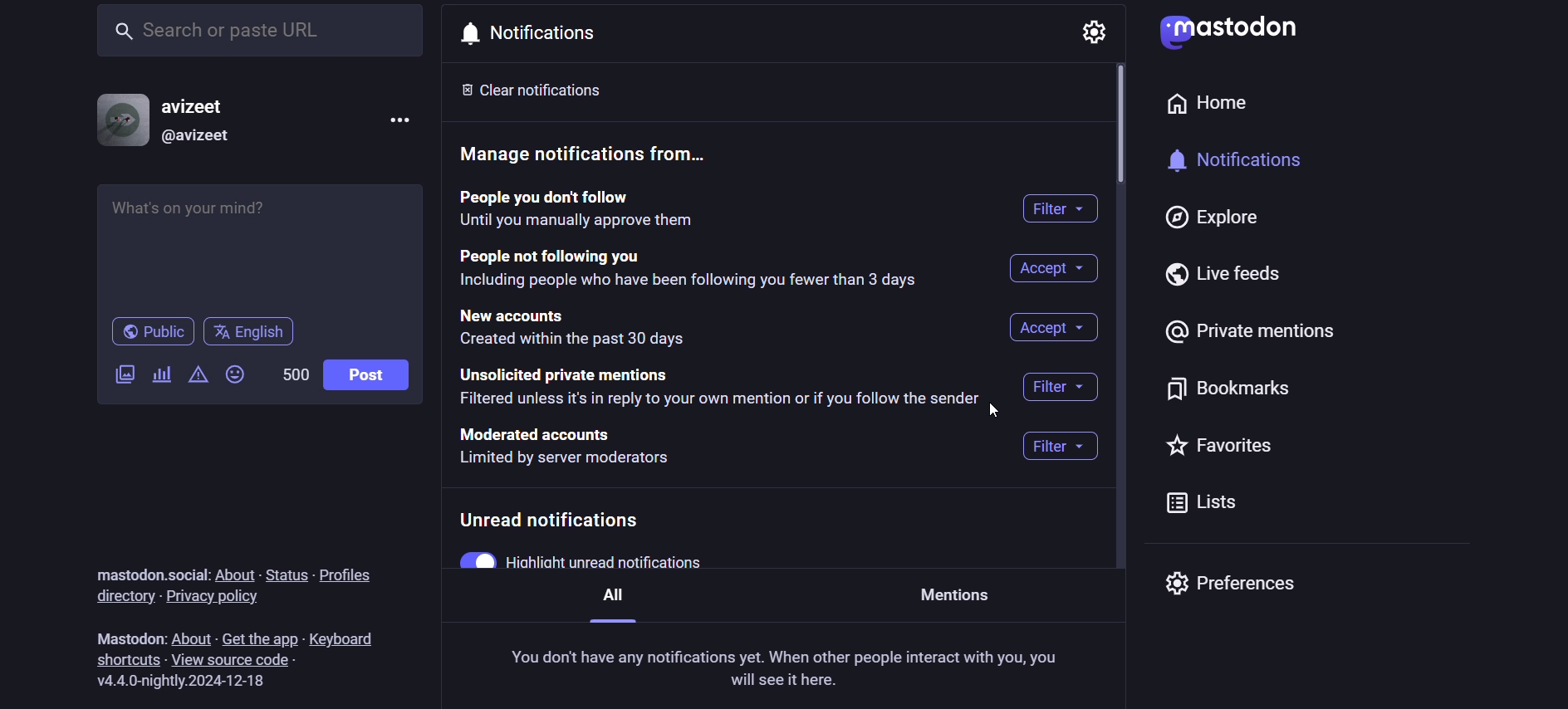 The height and width of the screenshot is (709, 1568). I want to click on 500, so click(294, 371).